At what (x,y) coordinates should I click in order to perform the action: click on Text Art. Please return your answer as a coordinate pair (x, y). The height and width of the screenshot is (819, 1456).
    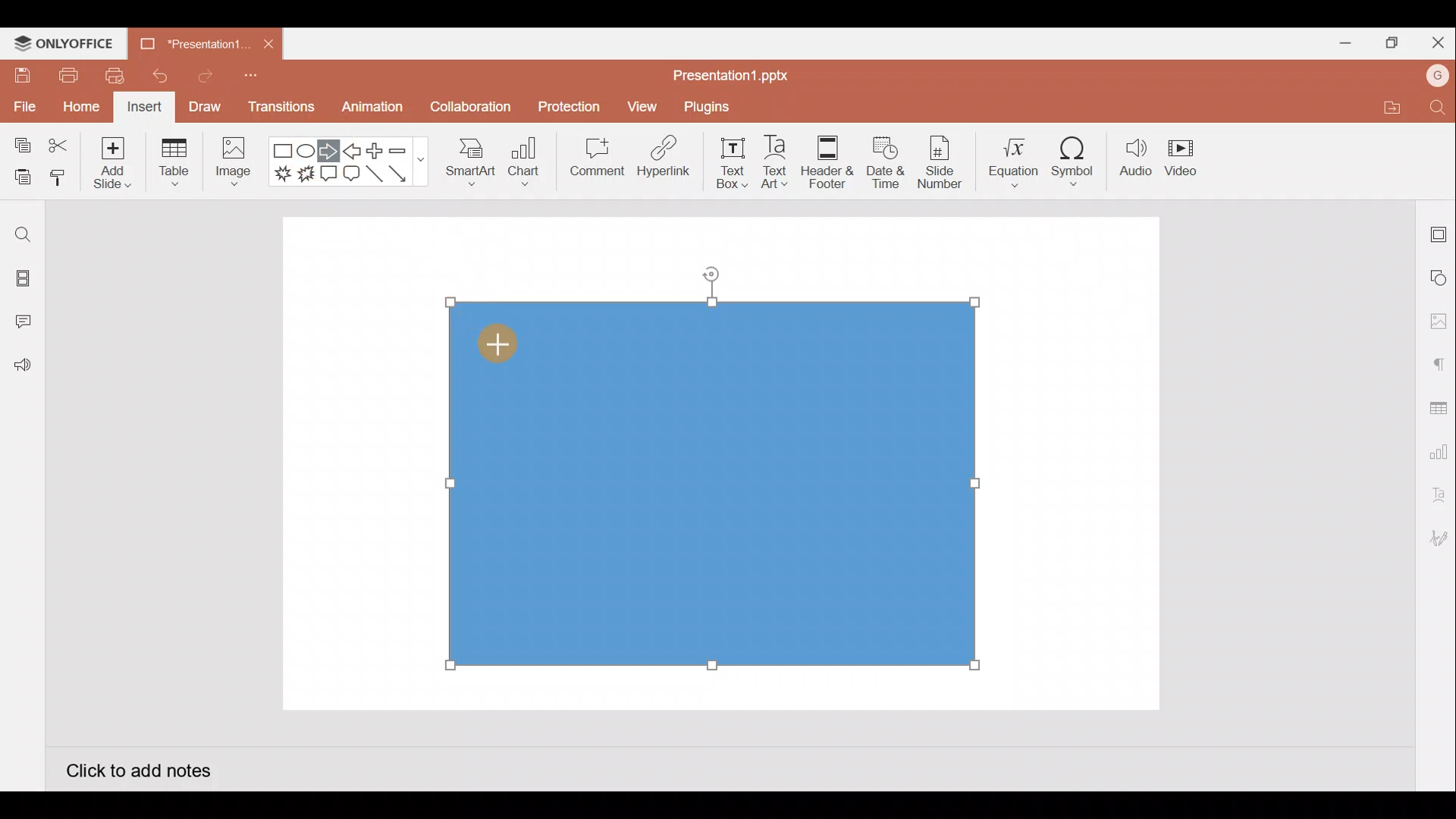
    Looking at the image, I should click on (781, 158).